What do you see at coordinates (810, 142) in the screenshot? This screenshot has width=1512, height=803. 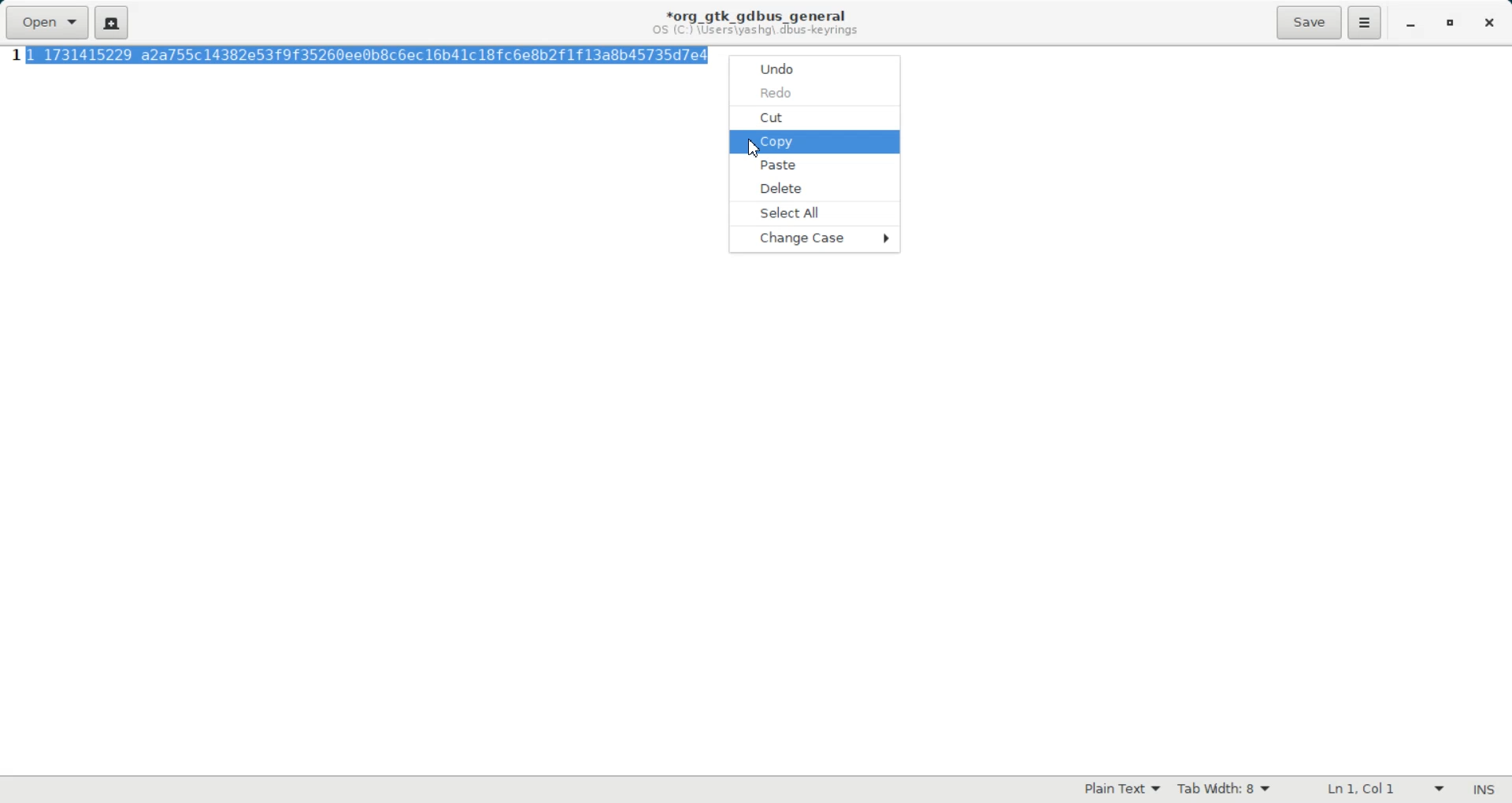 I see `Copy` at bounding box center [810, 142].